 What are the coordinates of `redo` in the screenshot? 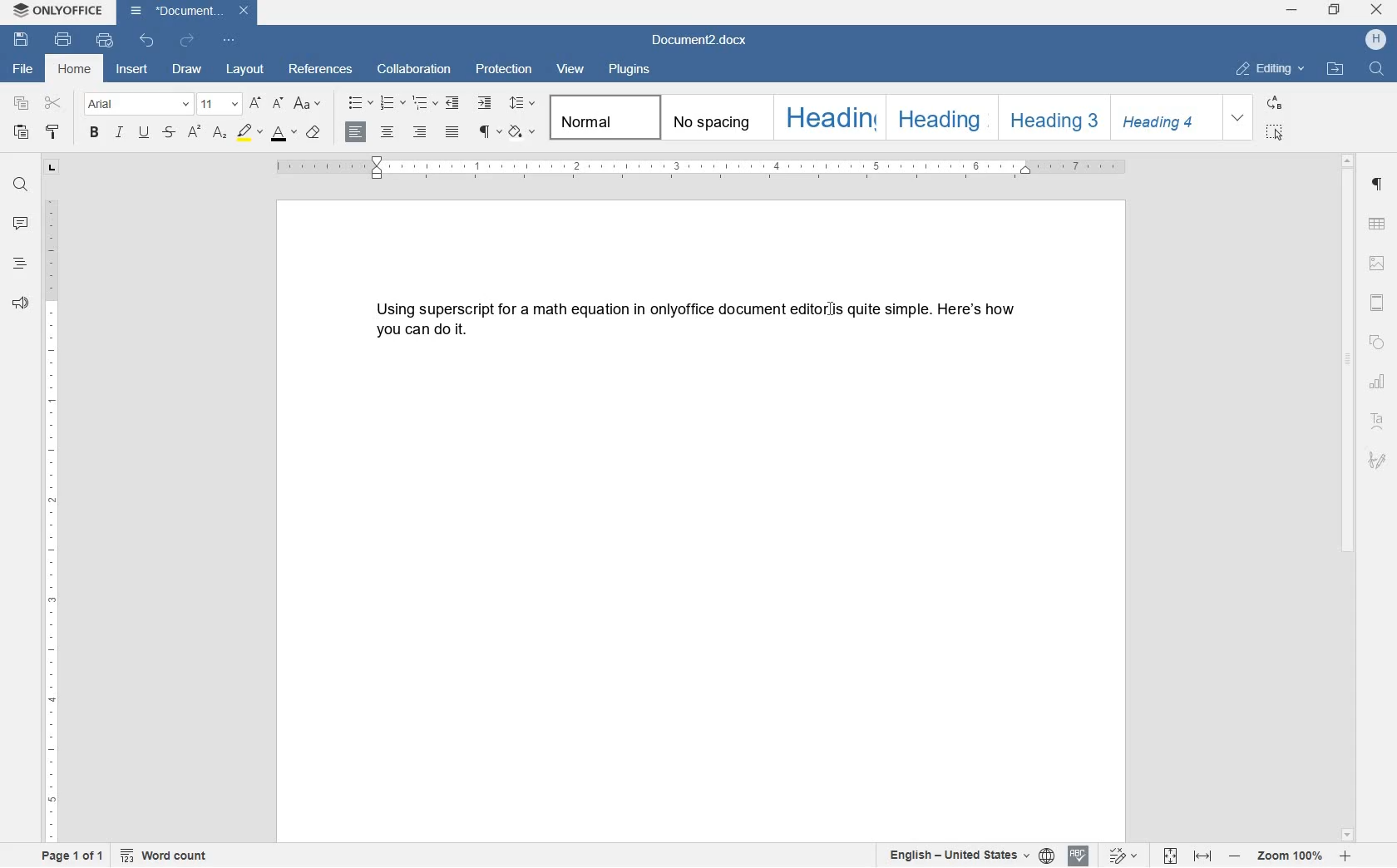 It's located at (185, 40).